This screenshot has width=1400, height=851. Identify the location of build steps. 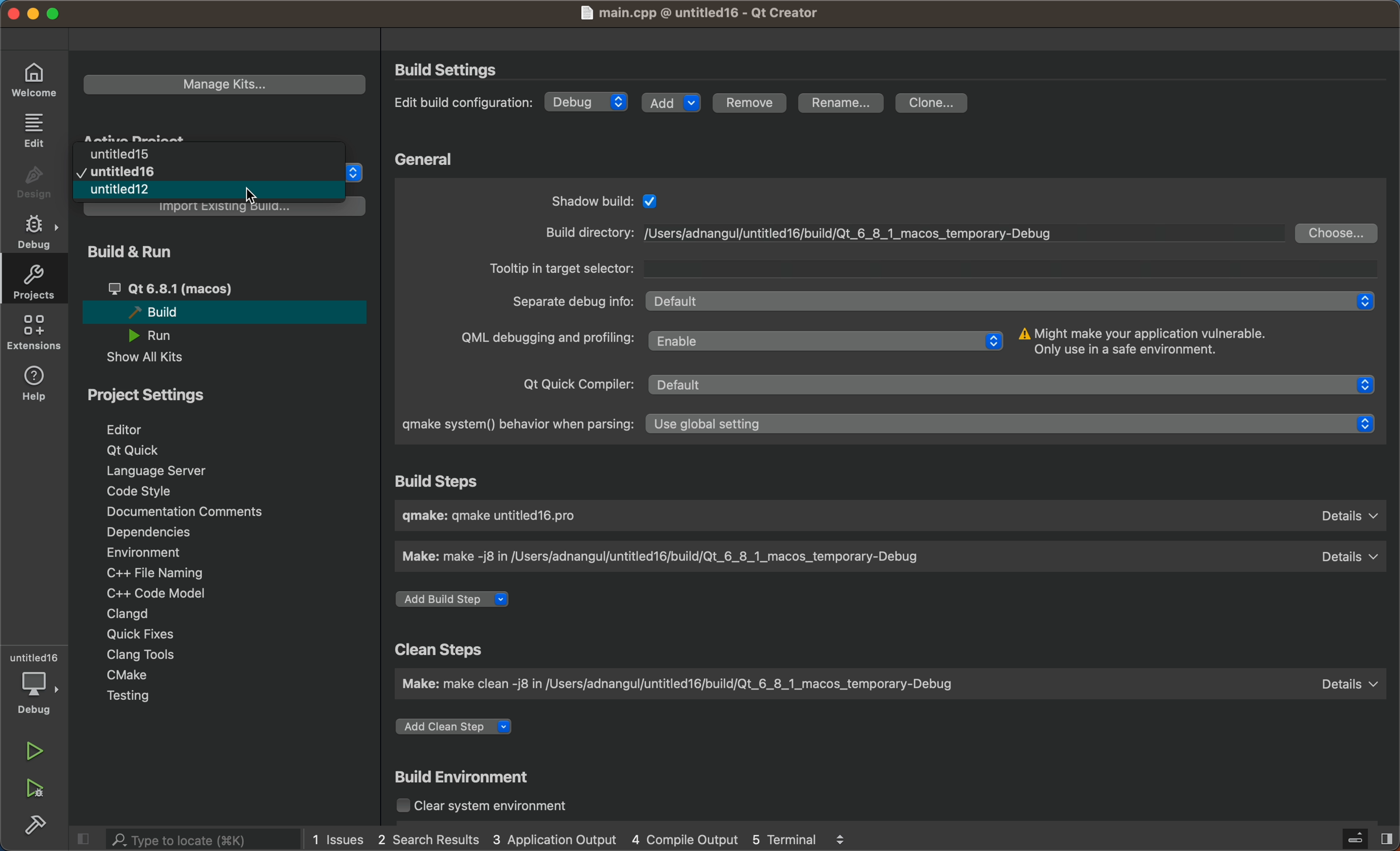
(438, 480).